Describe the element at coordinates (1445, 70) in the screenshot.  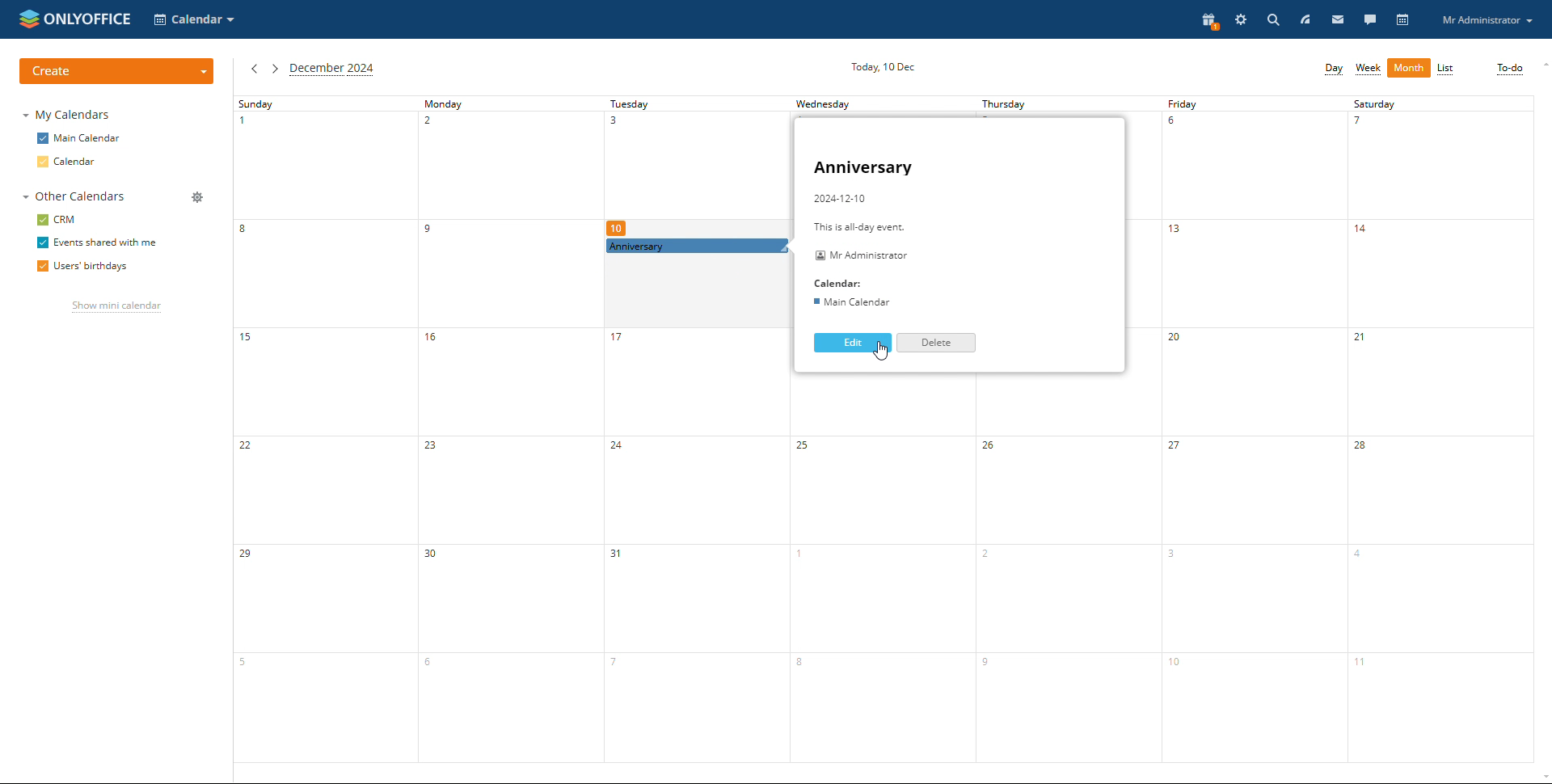
I see `list view` at that location.